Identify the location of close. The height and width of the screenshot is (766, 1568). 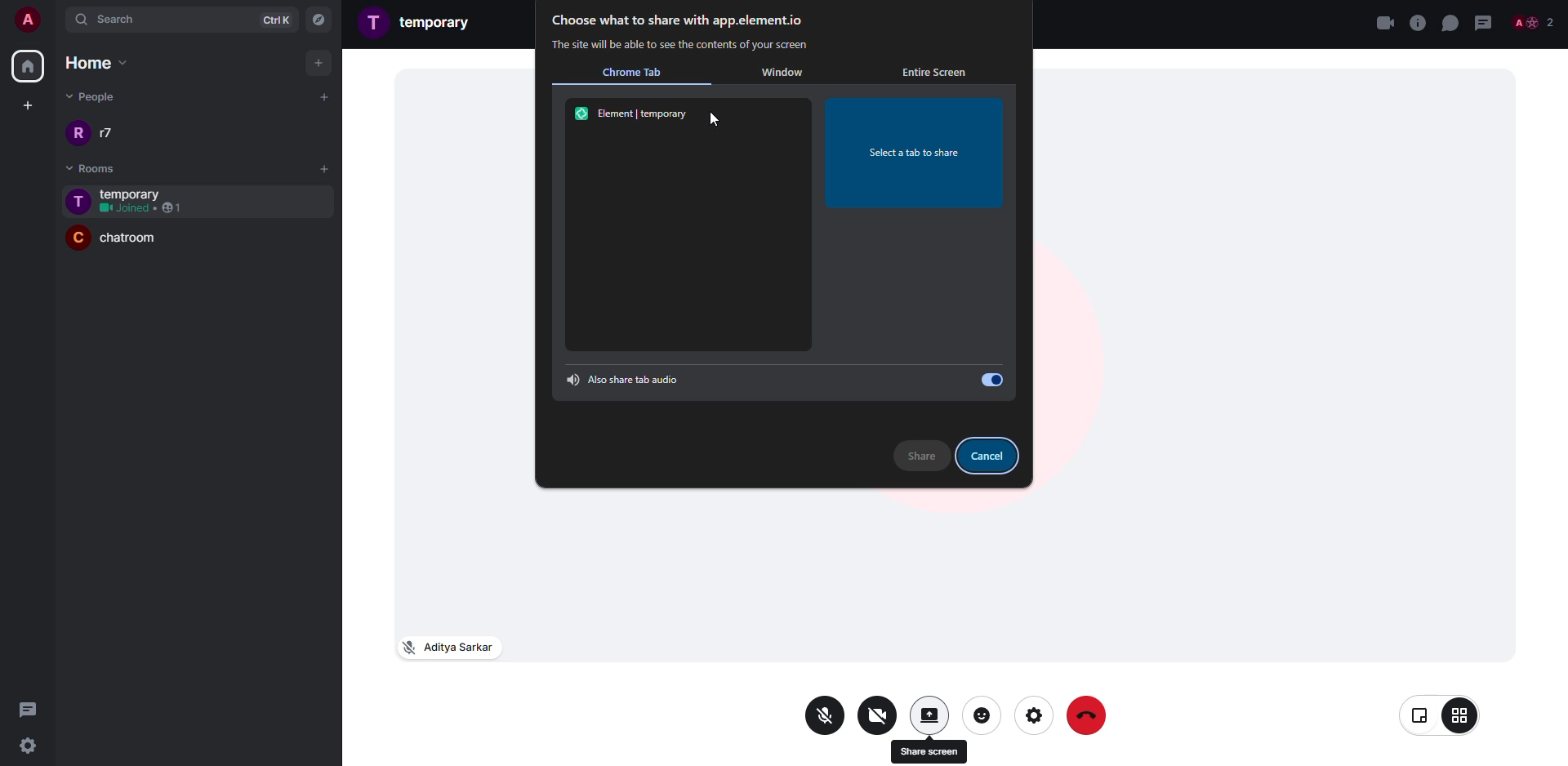
(1384, 22).